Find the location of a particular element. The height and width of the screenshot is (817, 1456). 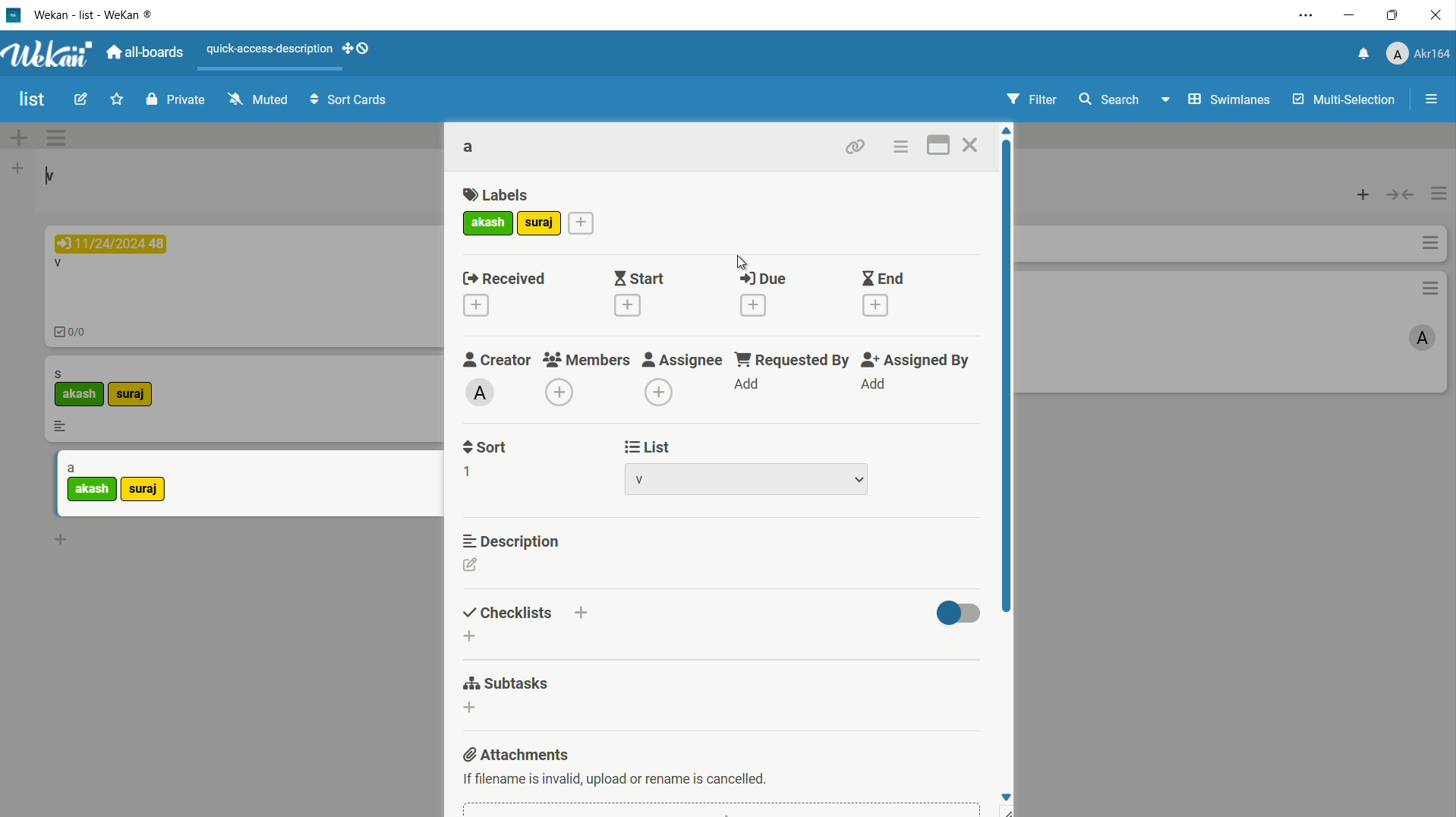

description is located at coordinates (509, 541).